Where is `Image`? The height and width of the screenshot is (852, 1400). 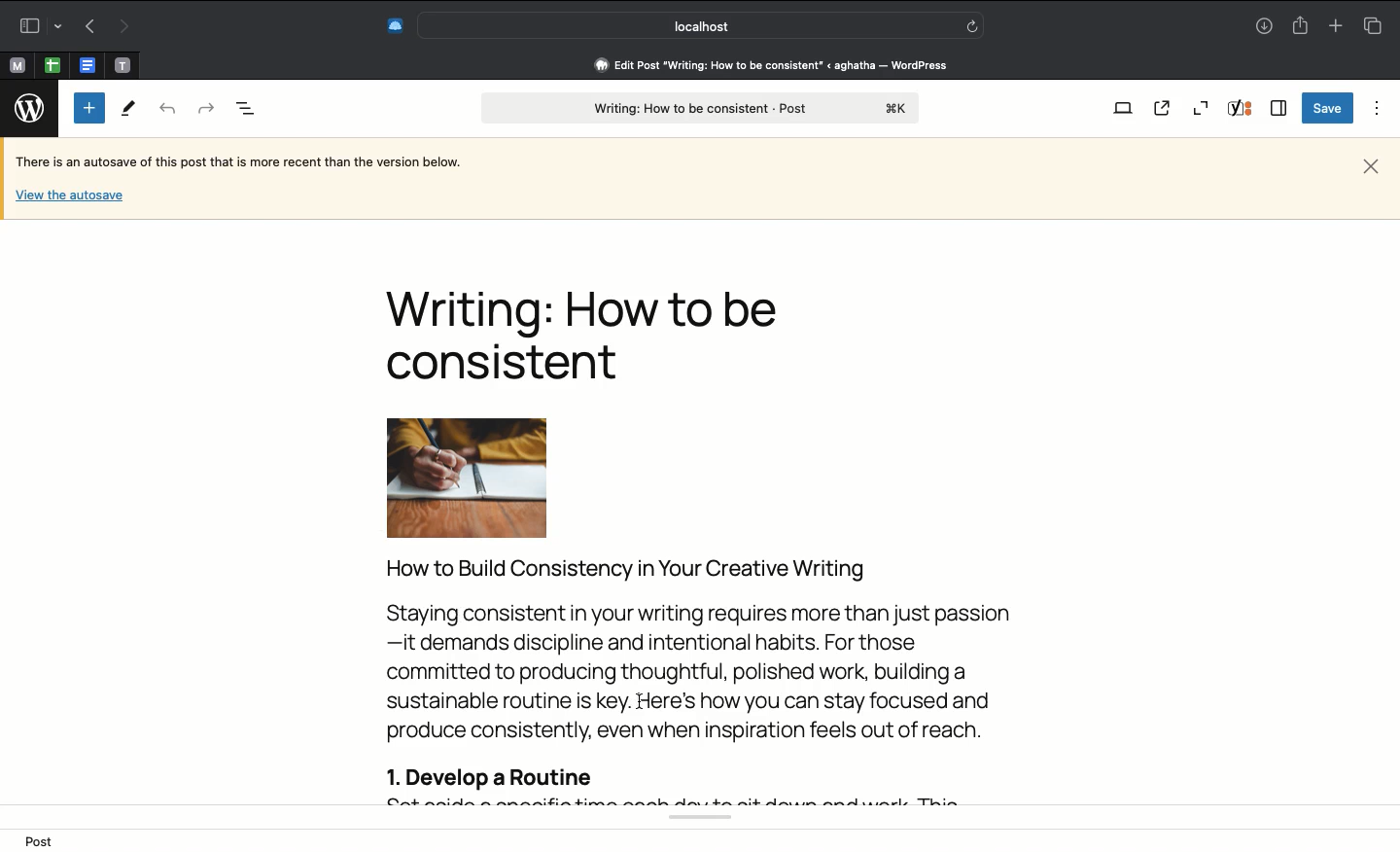
Image is located at coordinates (490, 478).